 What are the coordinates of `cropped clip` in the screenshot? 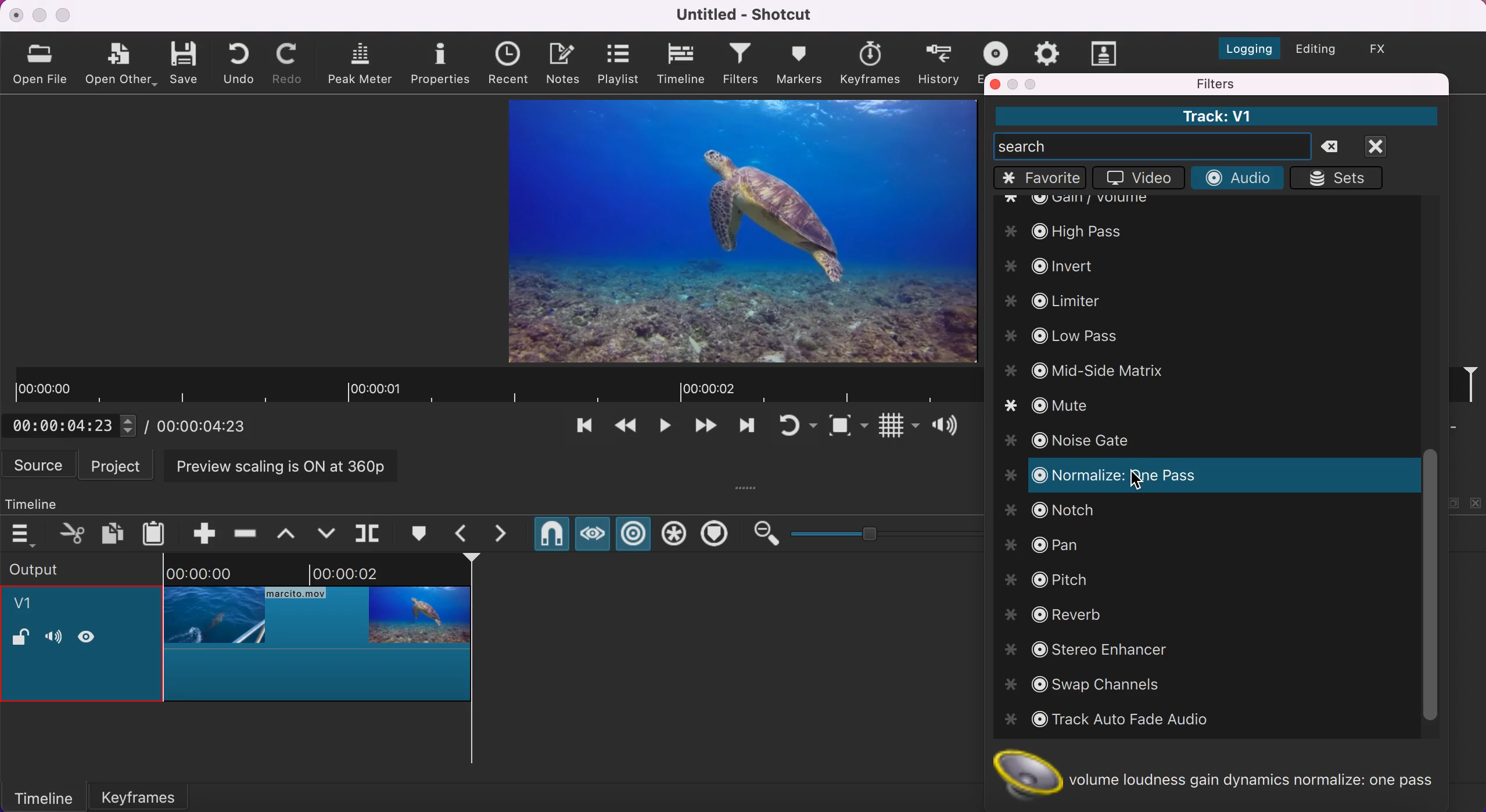 It's located at (318, 635).